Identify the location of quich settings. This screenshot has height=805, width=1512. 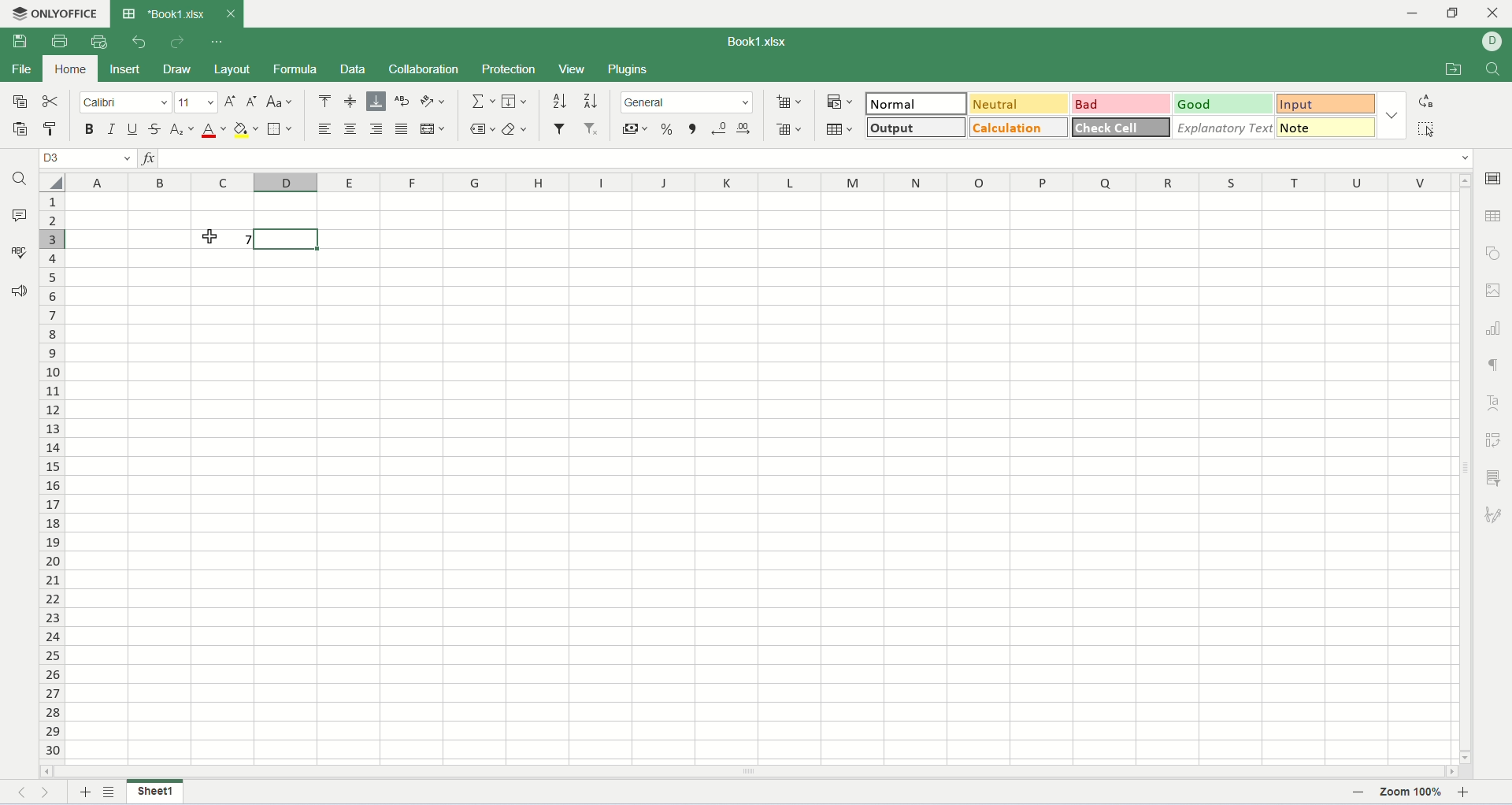
(218, 42).